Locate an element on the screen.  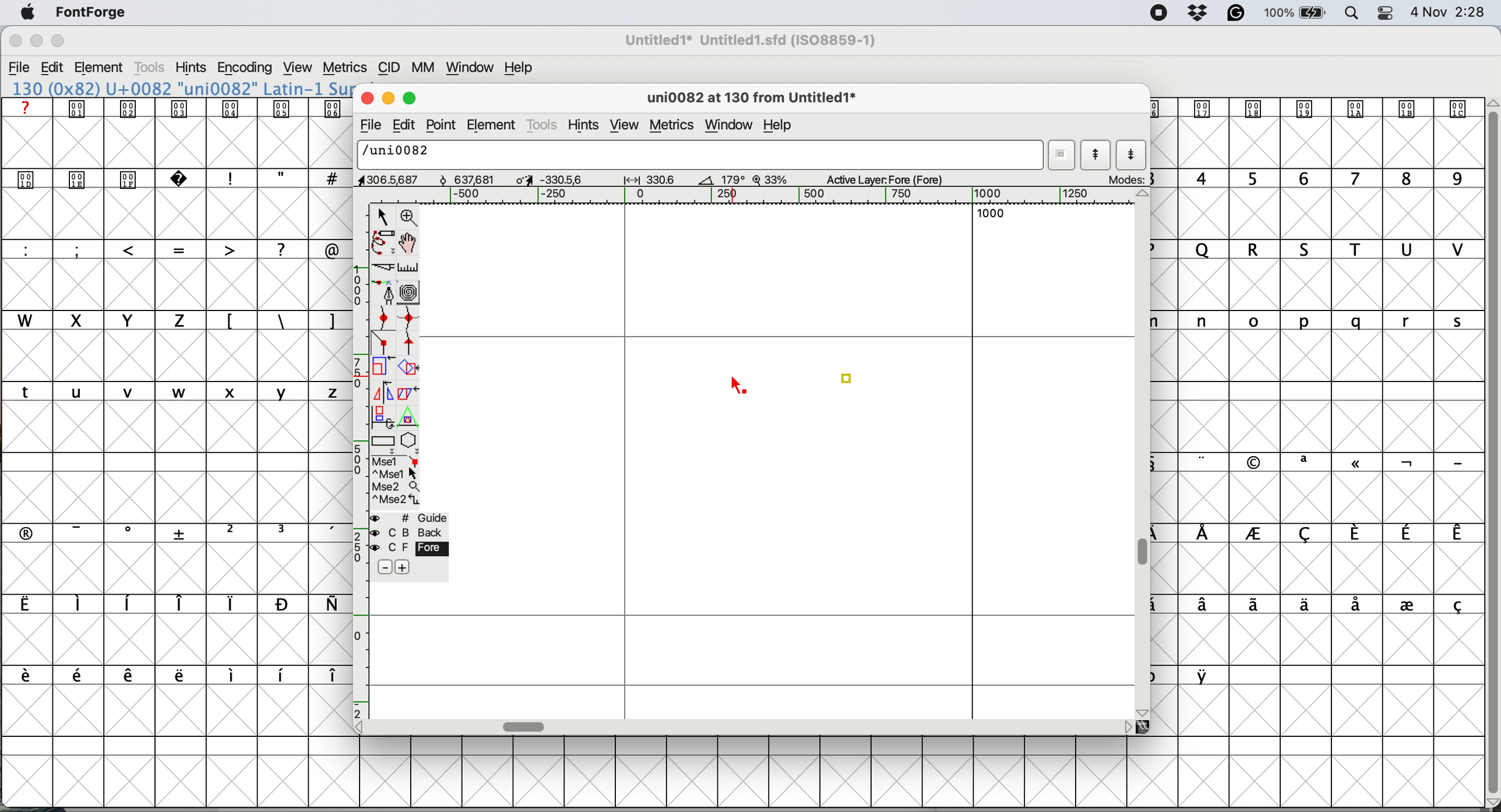
metrics is located at coordinates (675, 126).